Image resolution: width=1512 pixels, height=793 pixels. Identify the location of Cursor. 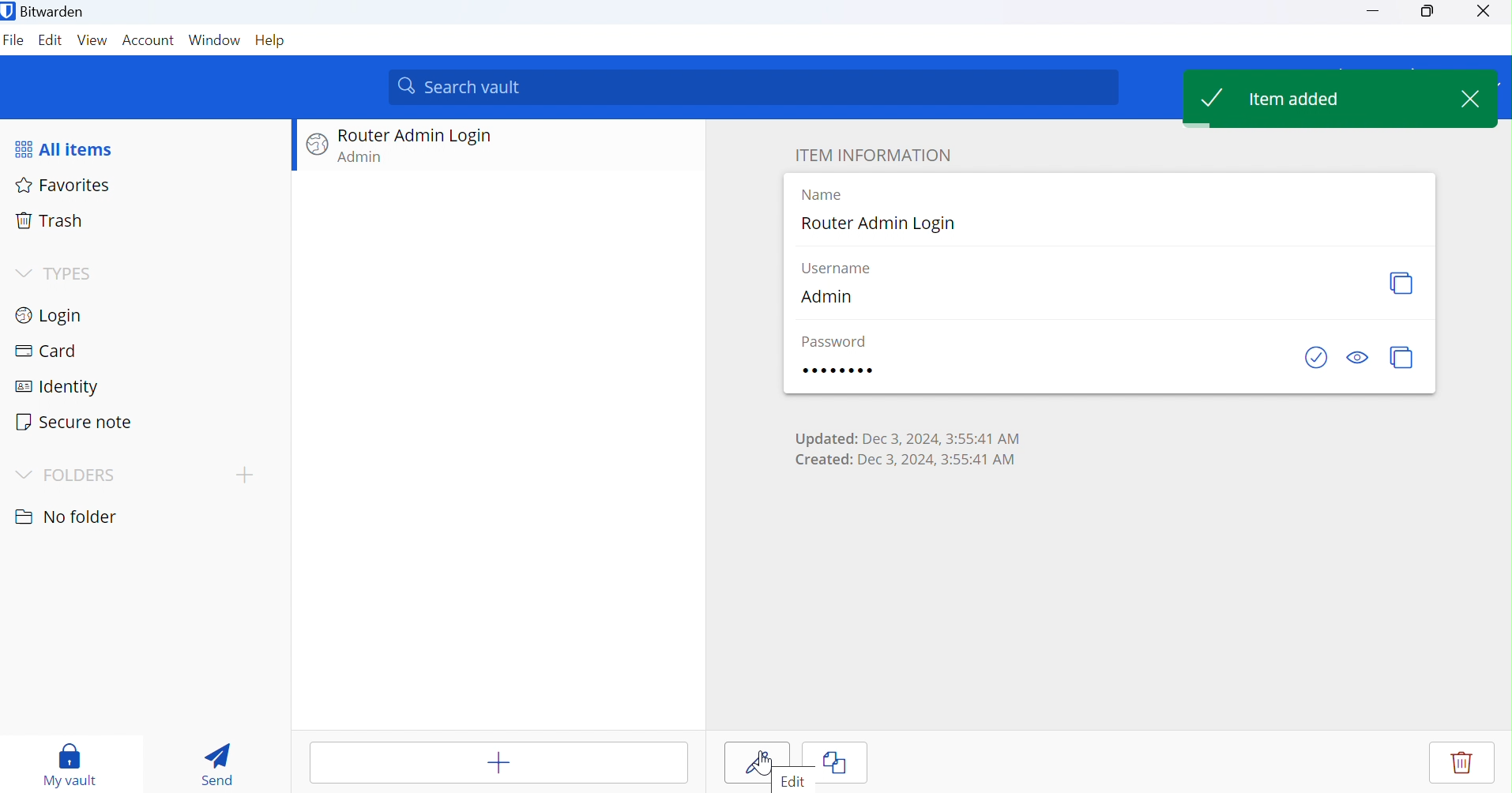
(762, 762).